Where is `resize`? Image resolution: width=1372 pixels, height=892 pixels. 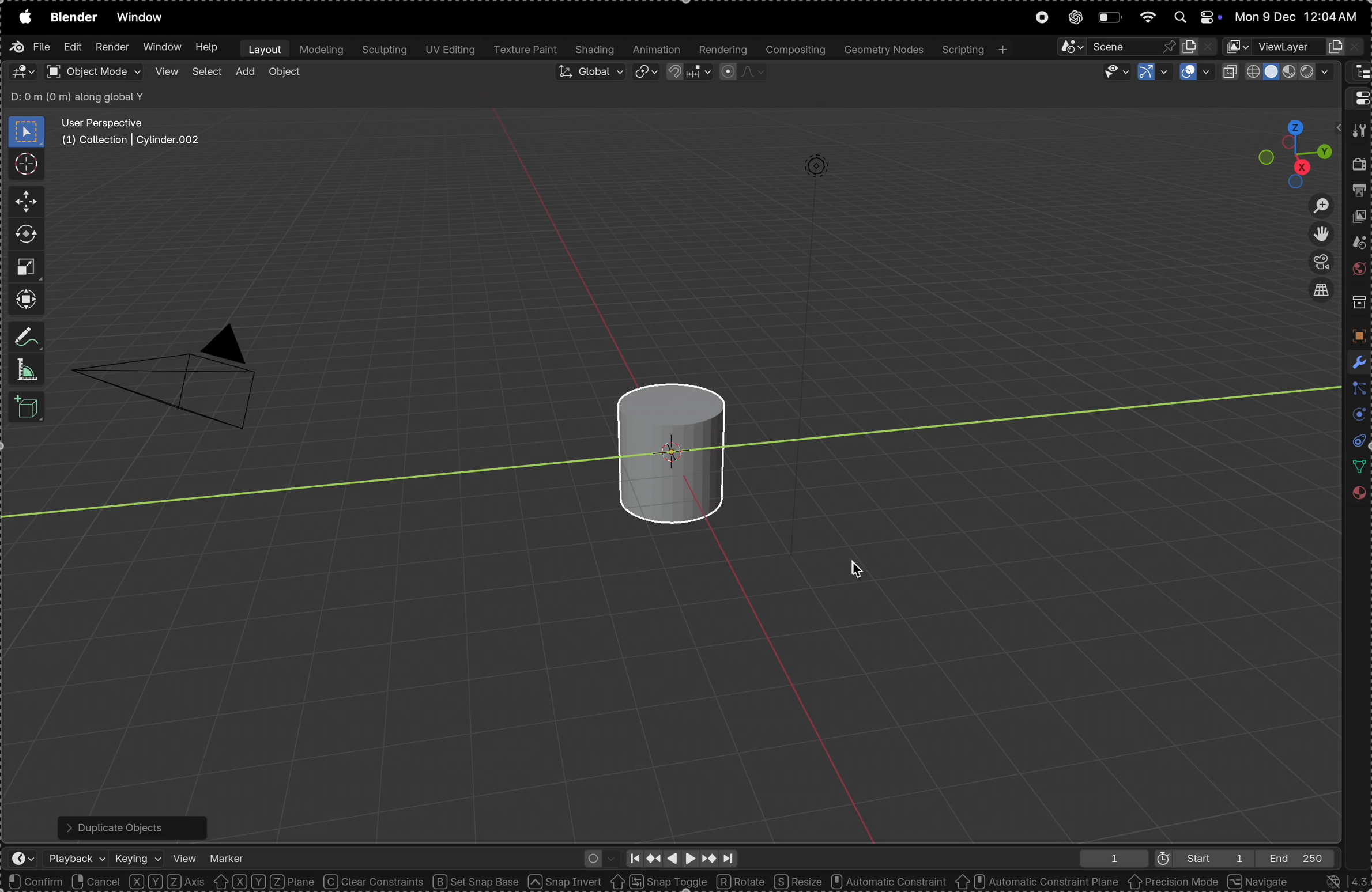
resize is located at coordinates (797, 881).